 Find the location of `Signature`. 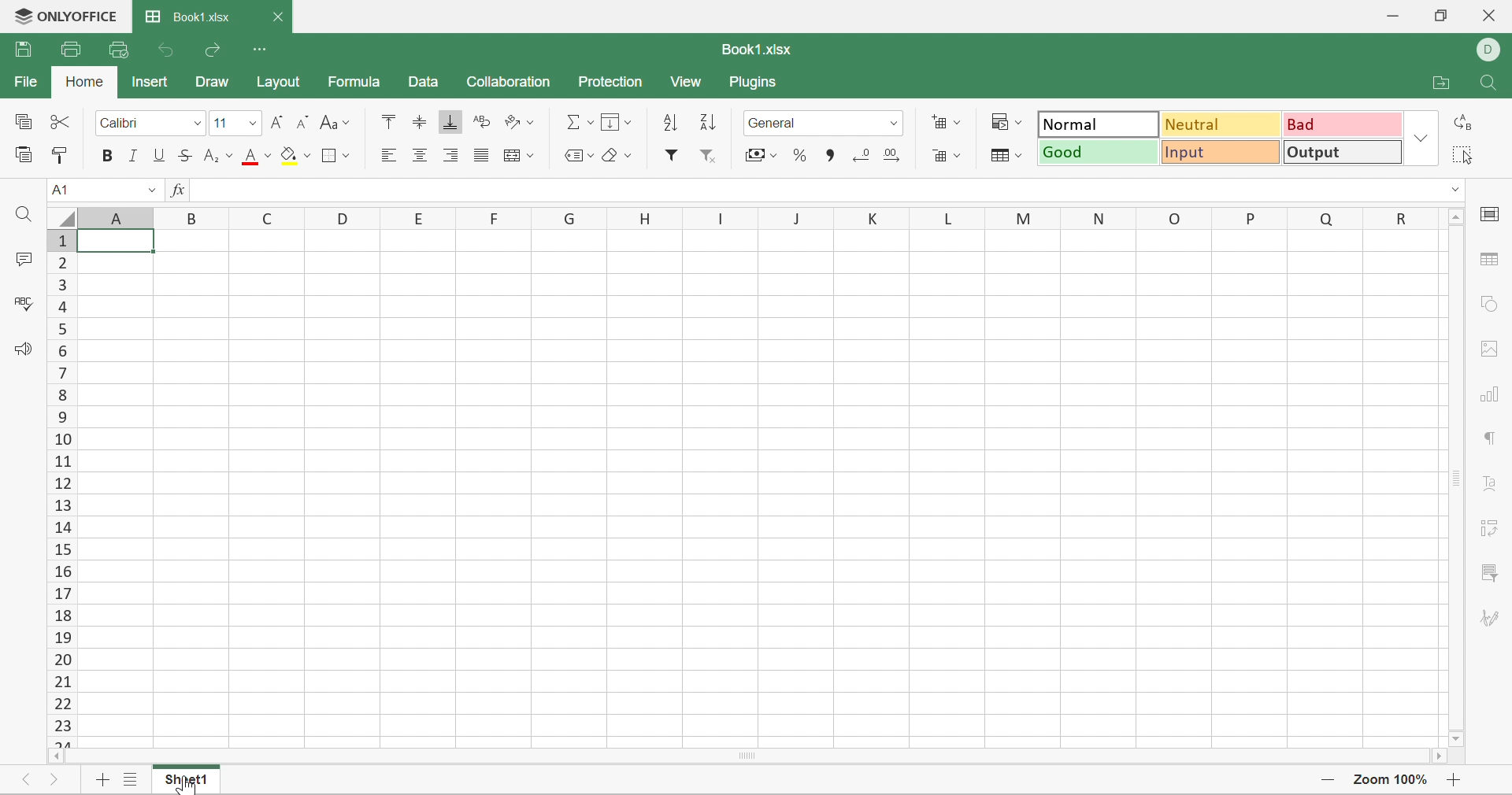

Signature is located at coordinates (1488, 618).